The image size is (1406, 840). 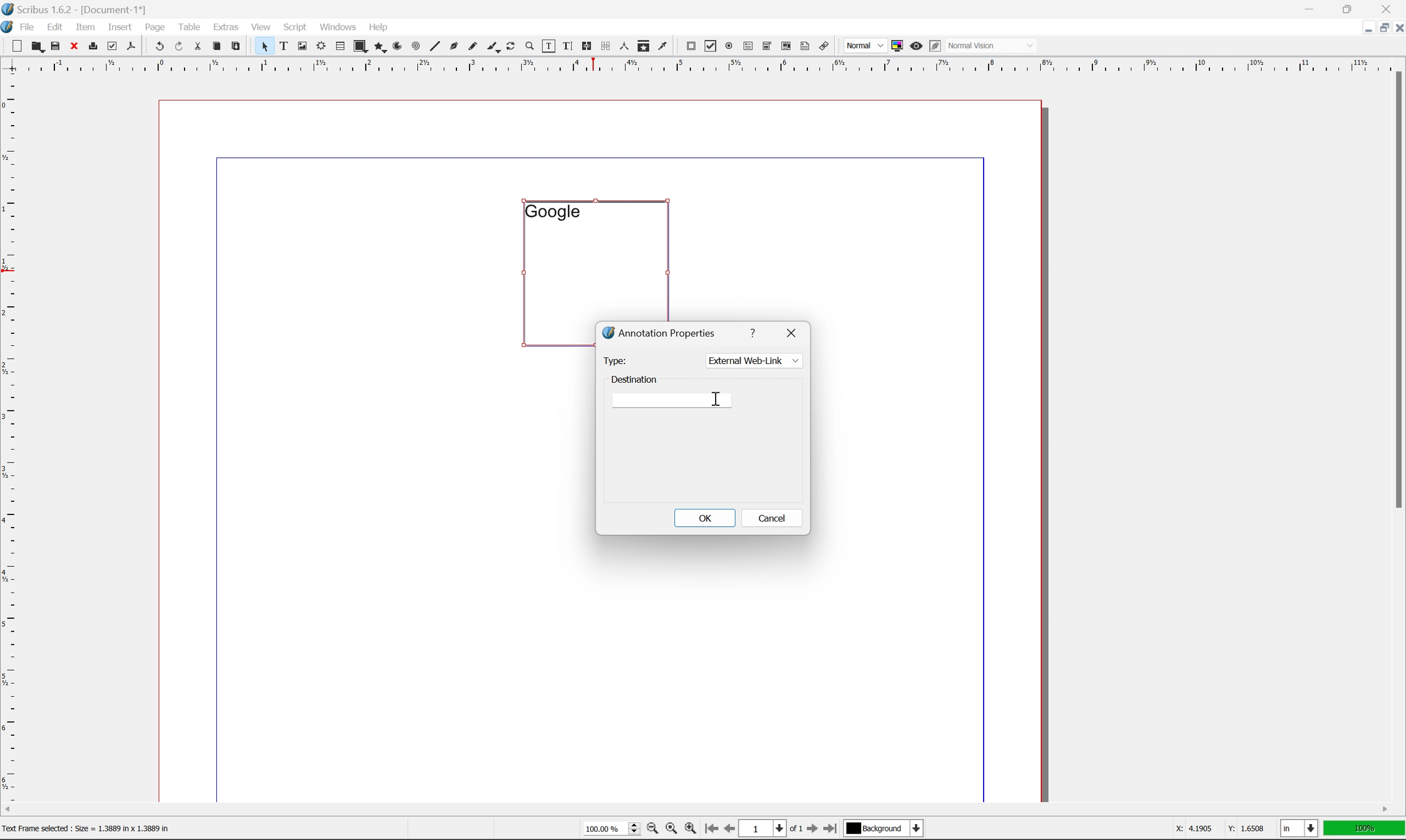 What do you see at coordinates (381, 48) in the screenshot?
I see `polygon` at bounding box center [381, 48].